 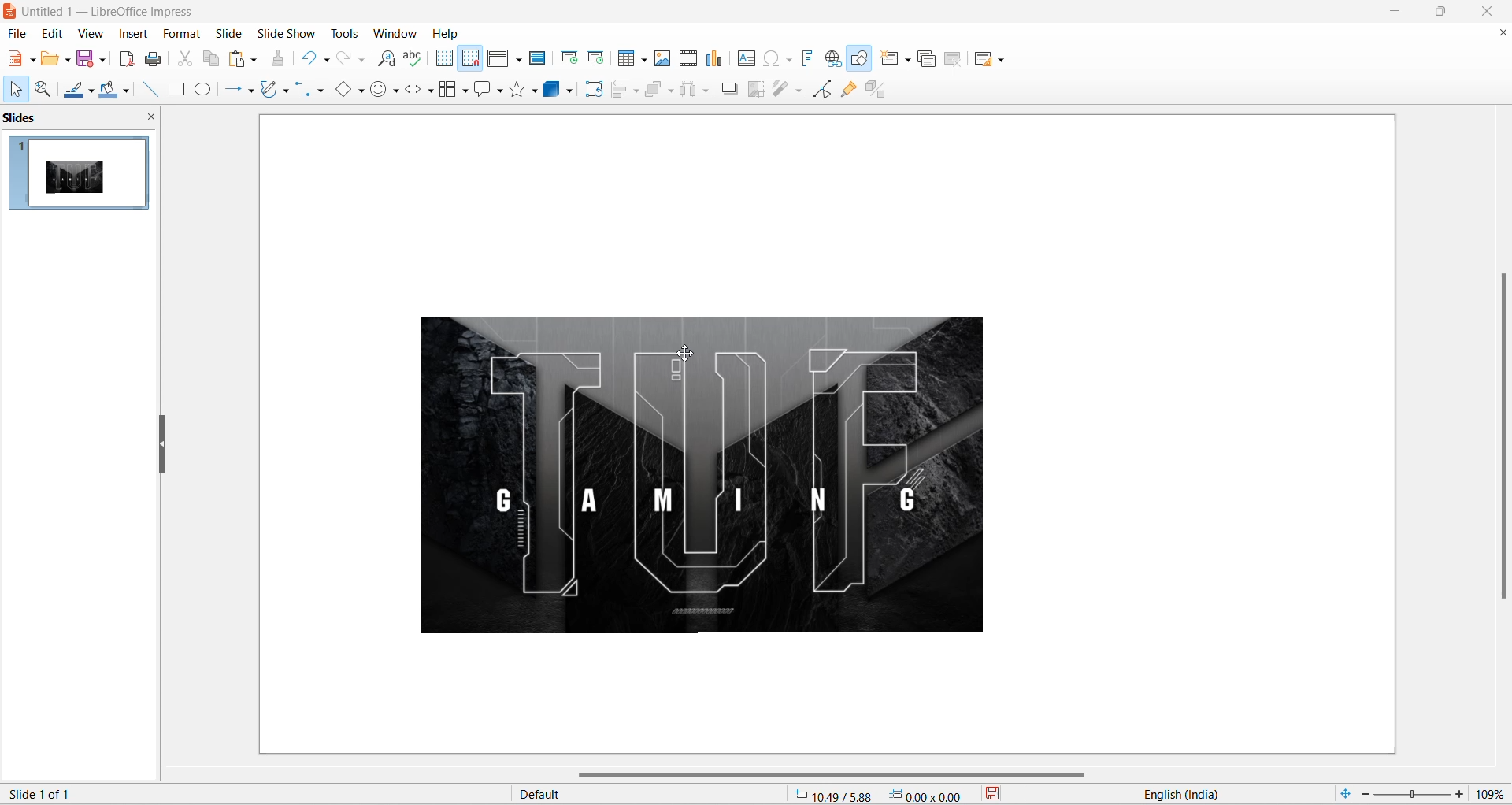 I want to click on insert fontwork text, so click(x=806, y=57).